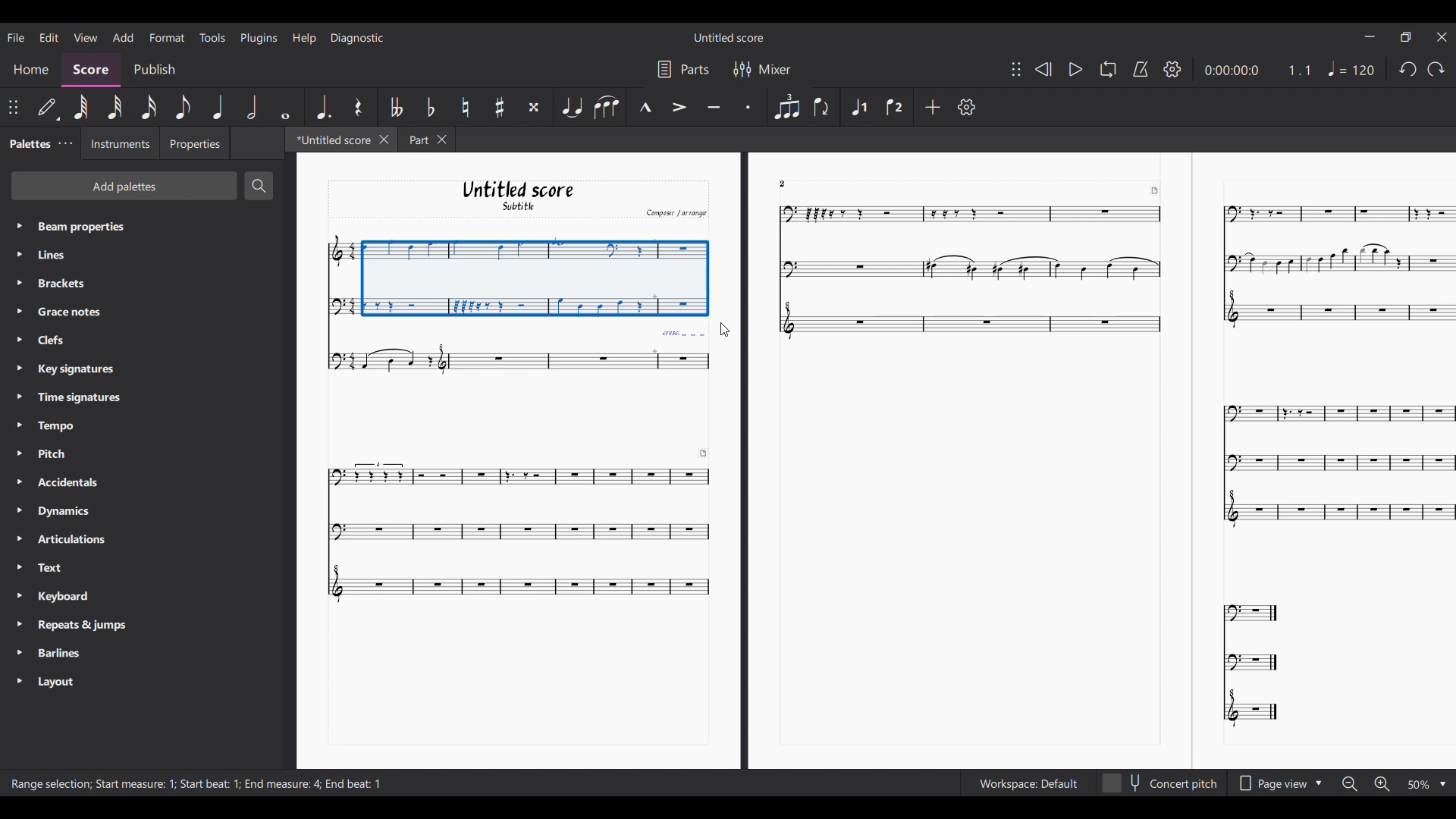 The height and width of the screenshot is (819, 1456). I want to click on , so click(17, 540).